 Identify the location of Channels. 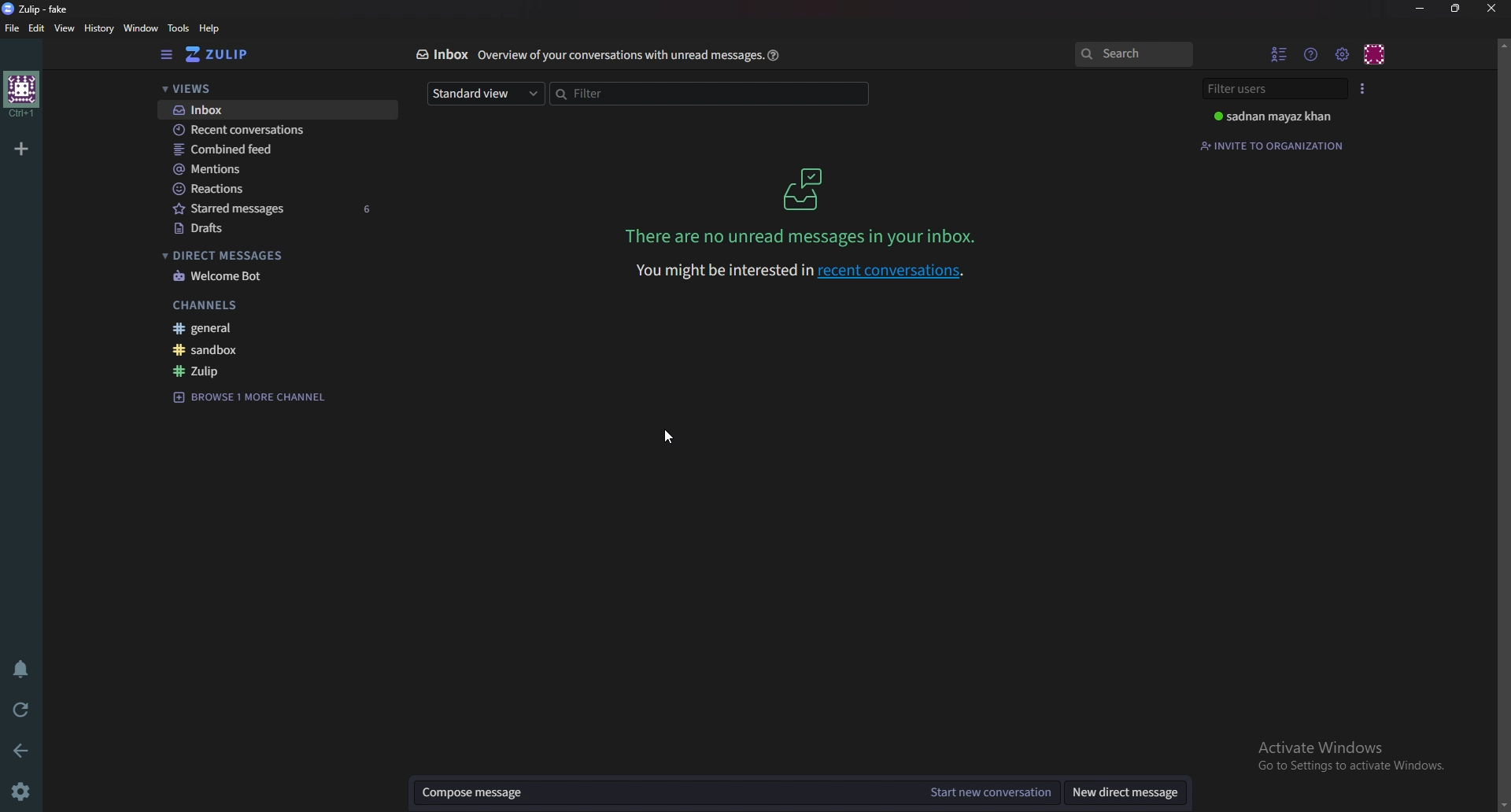
(279, 304).